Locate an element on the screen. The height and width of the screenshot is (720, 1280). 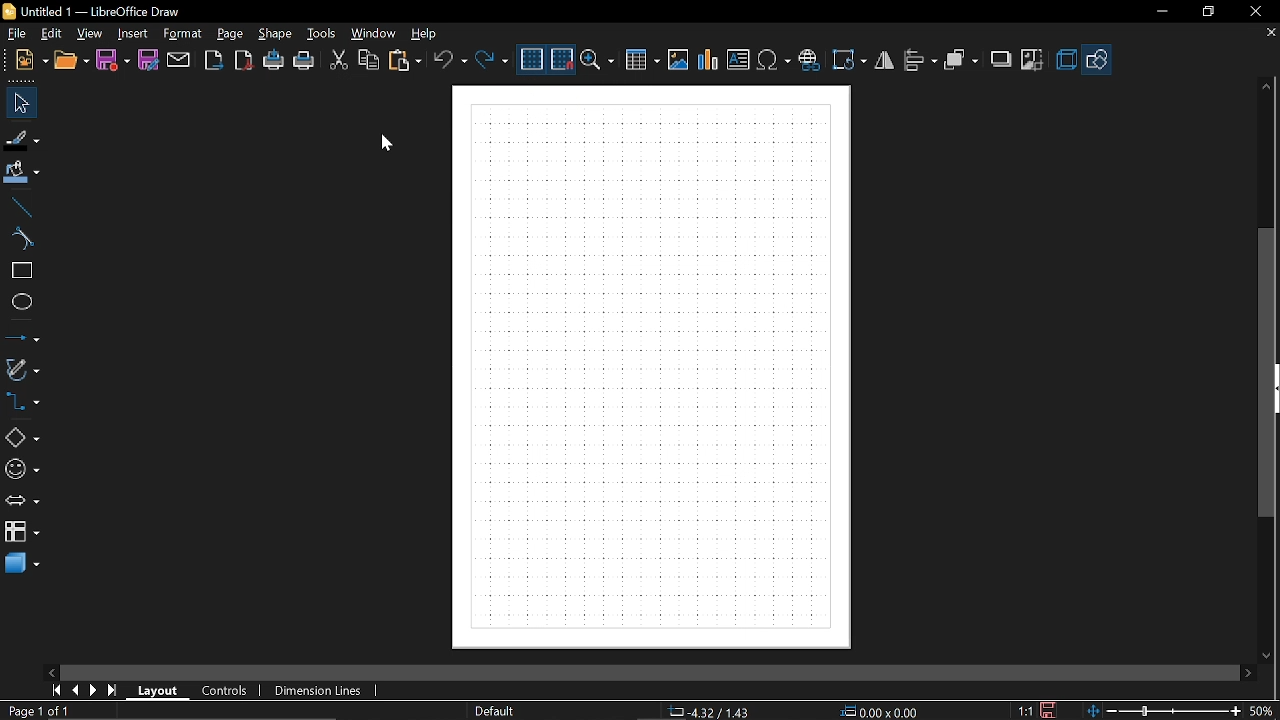
save is located at coordinates (1050, 709).